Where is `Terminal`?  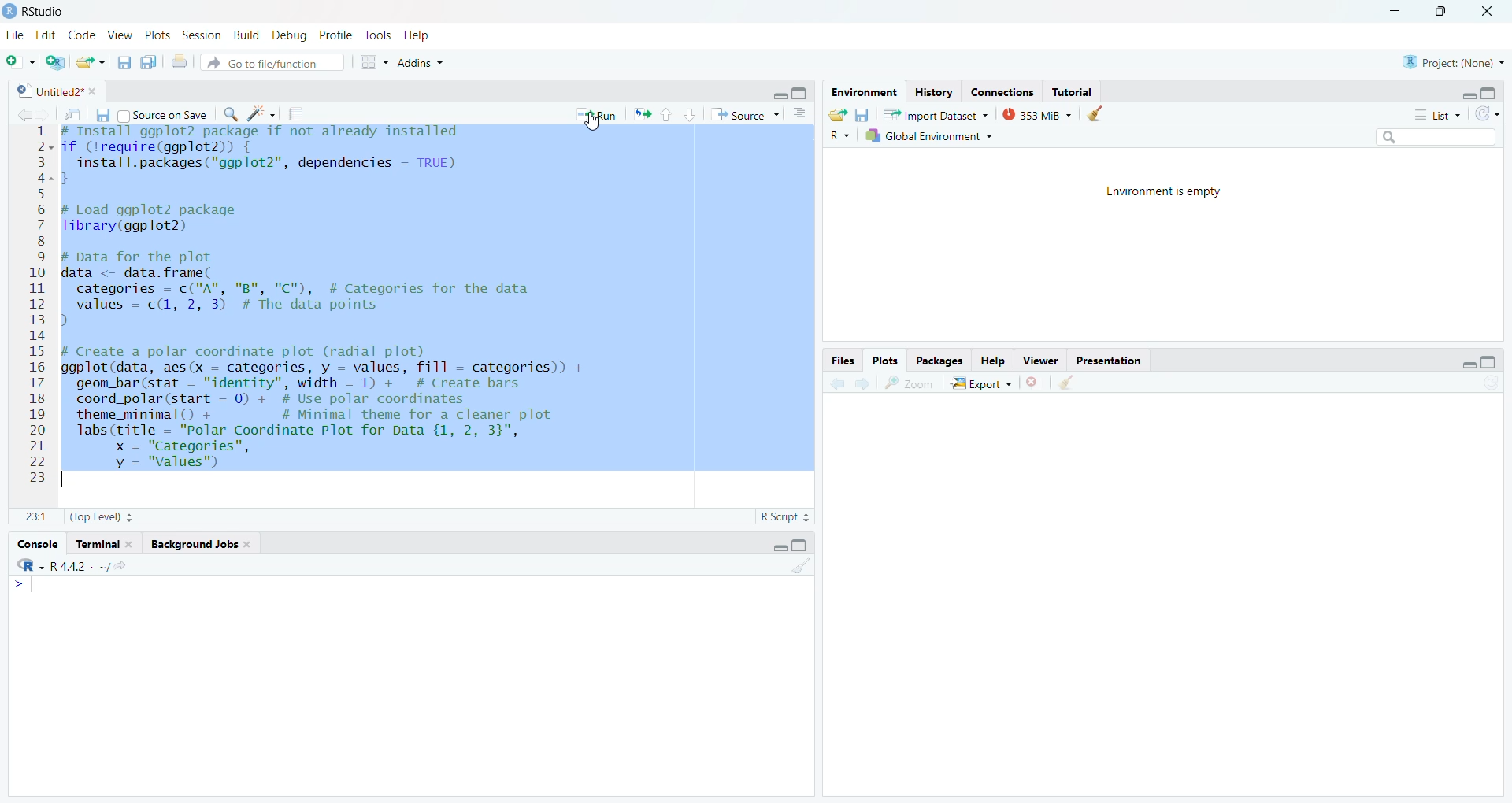 Terminal is located at coordinates (103, 546).